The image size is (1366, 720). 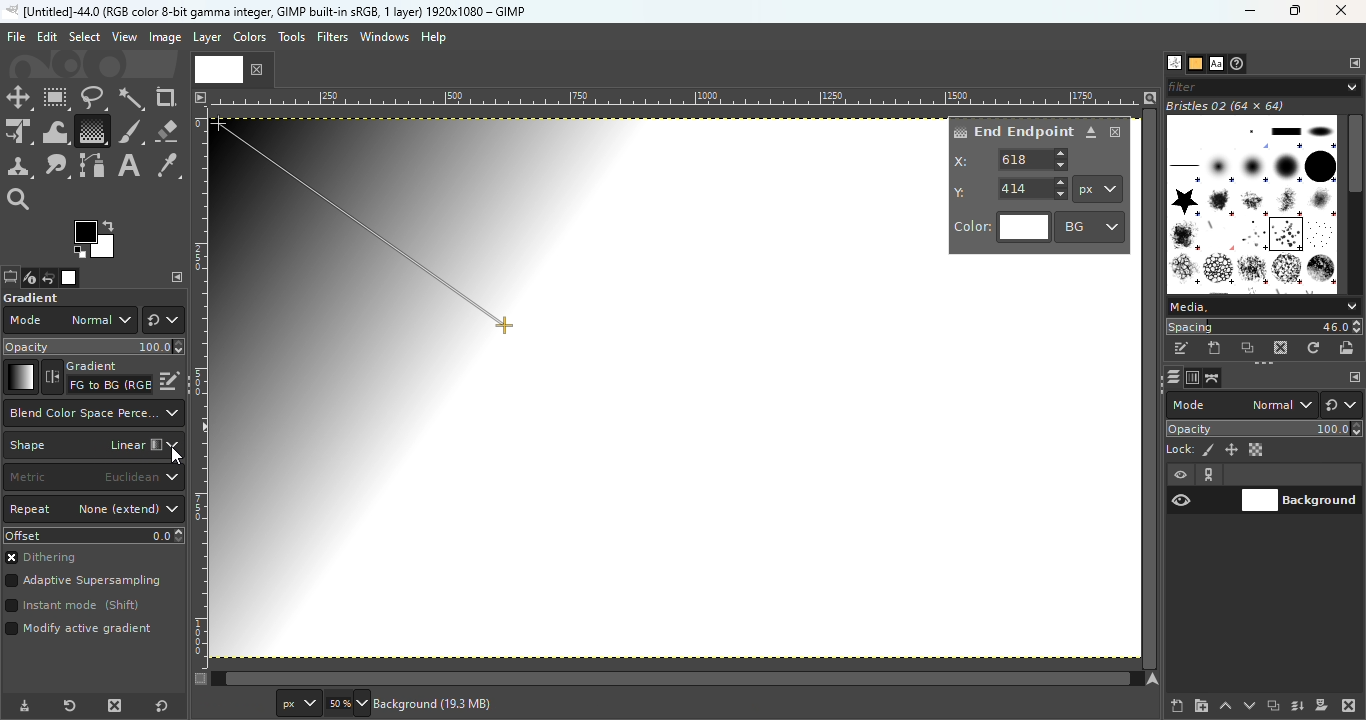 I want to click on Create a duplicate of the layer and add it to the image, so click(x=1272, y=707).